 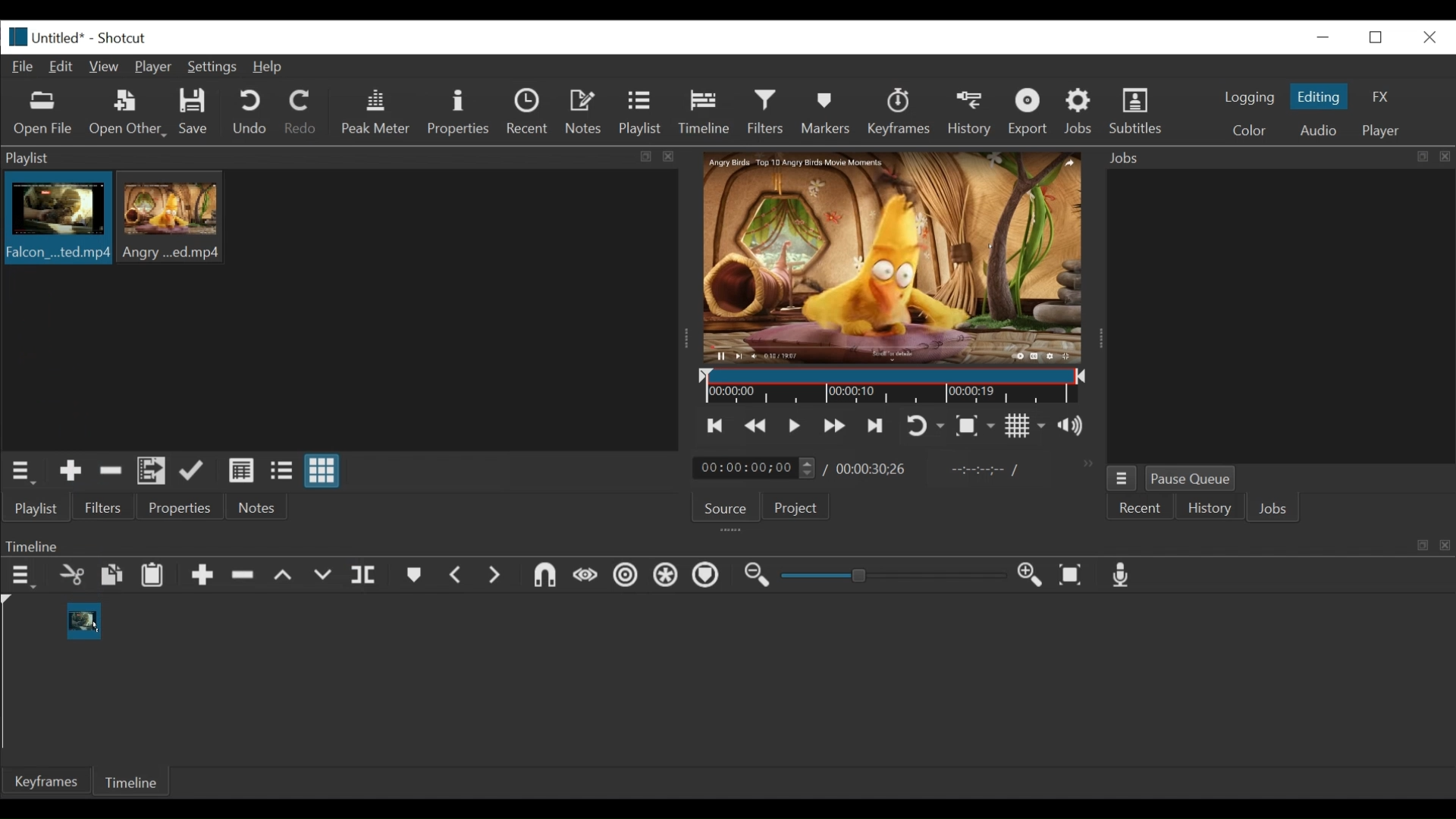 I want to click on File name, so click(x=61, y=39).